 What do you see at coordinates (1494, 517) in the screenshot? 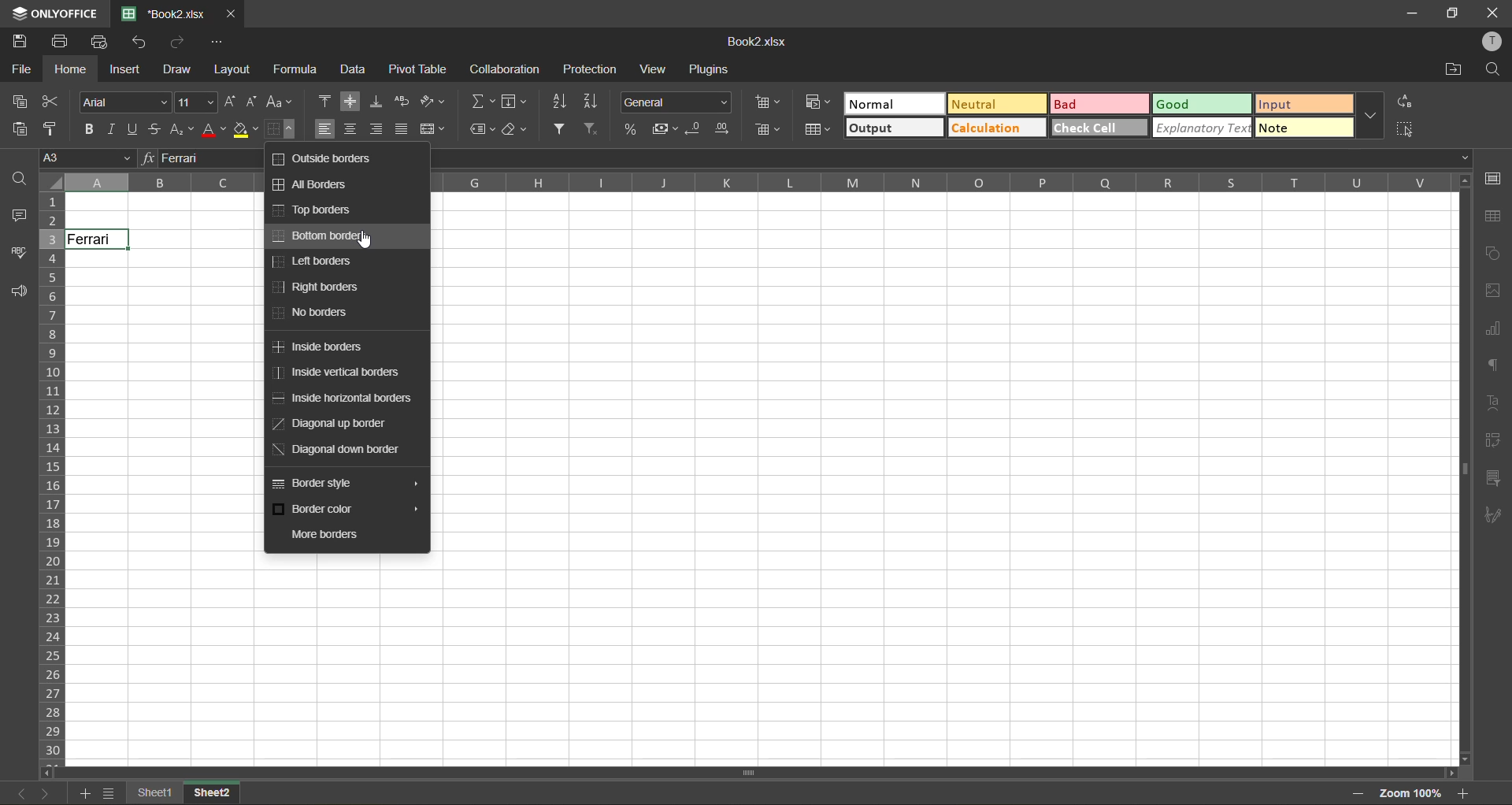
I see `signature` at bounding box center [1494, 517].